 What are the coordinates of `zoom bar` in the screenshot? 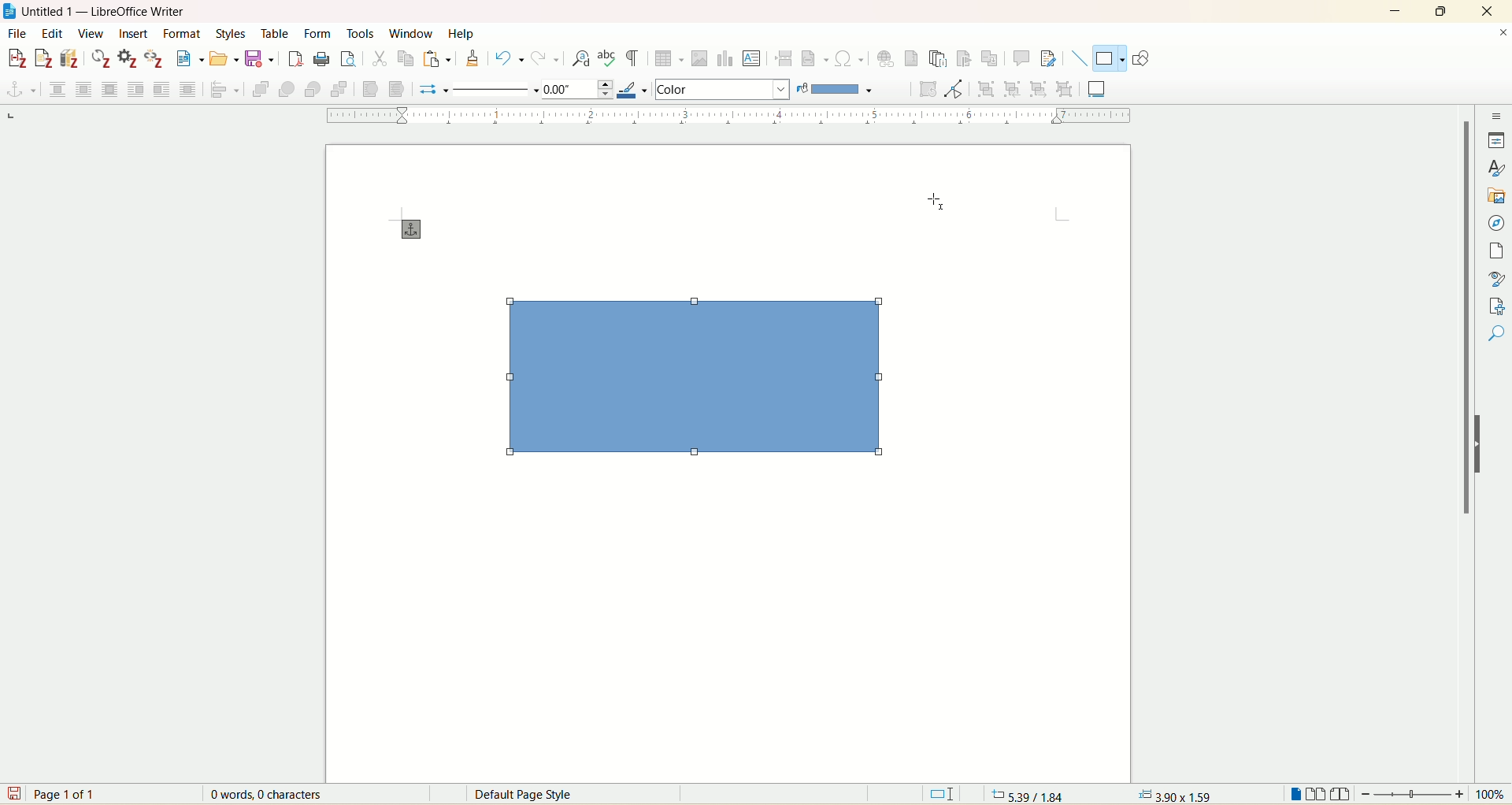 It's located at (1413, 793).